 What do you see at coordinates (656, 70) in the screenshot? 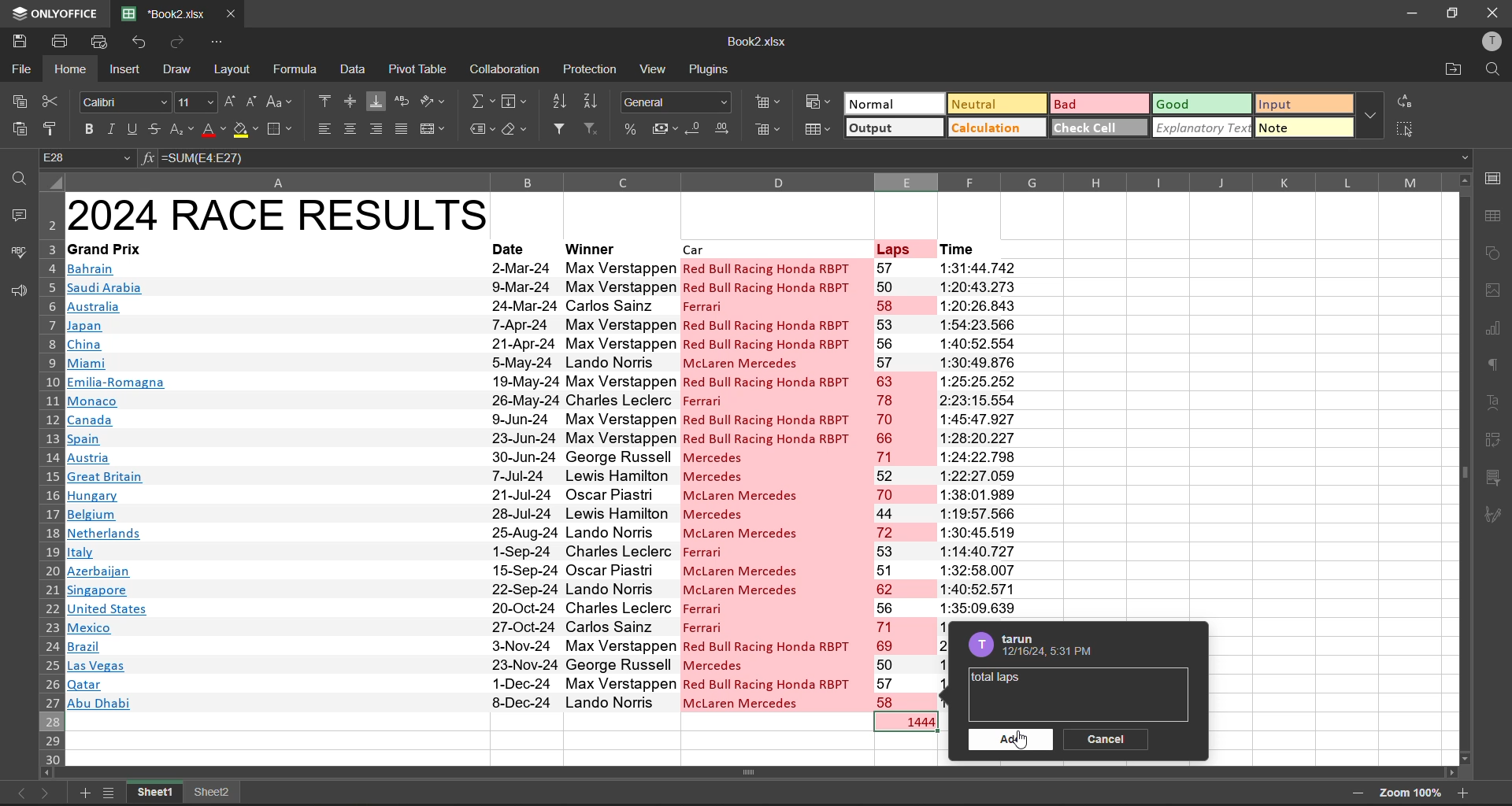
I see `view` at bounding box center [656, 70].